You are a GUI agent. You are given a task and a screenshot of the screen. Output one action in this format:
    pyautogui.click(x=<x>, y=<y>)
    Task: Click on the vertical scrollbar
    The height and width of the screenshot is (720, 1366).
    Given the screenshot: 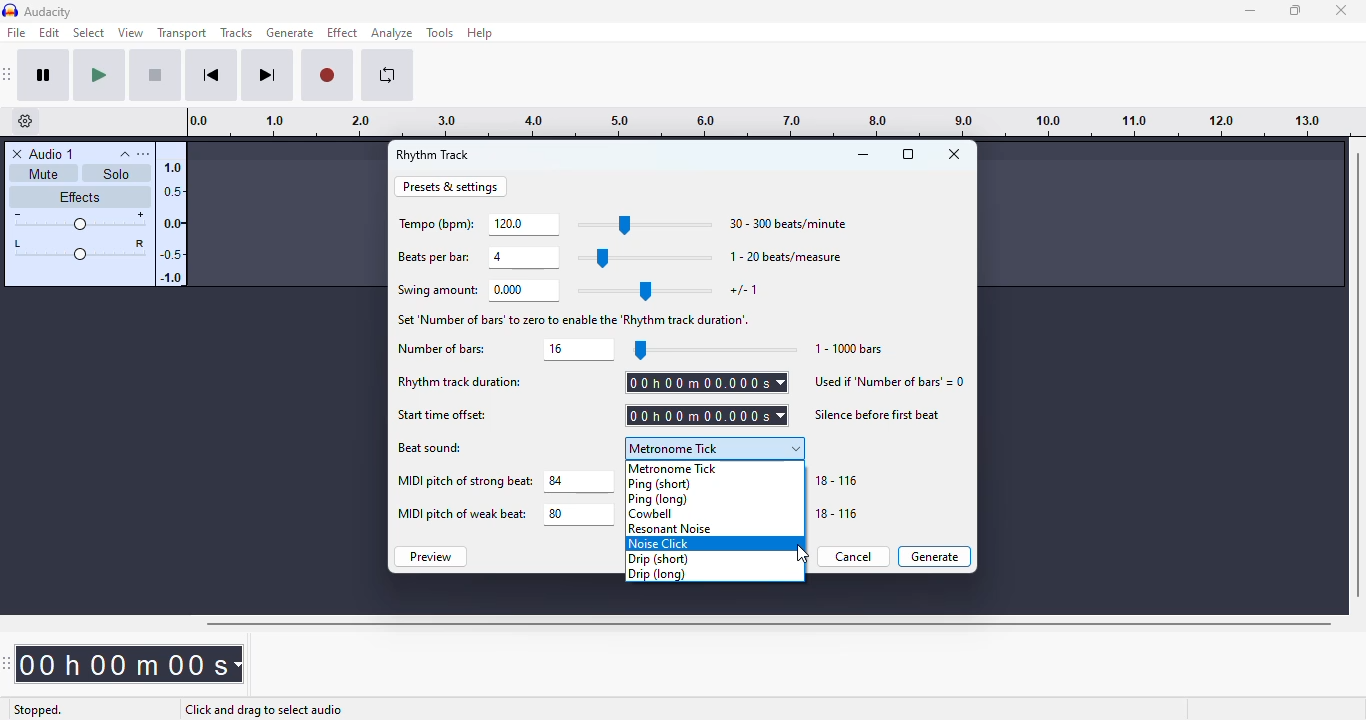 What is the action you would take?
    pyautogui.click(x=1358, y=373)
    